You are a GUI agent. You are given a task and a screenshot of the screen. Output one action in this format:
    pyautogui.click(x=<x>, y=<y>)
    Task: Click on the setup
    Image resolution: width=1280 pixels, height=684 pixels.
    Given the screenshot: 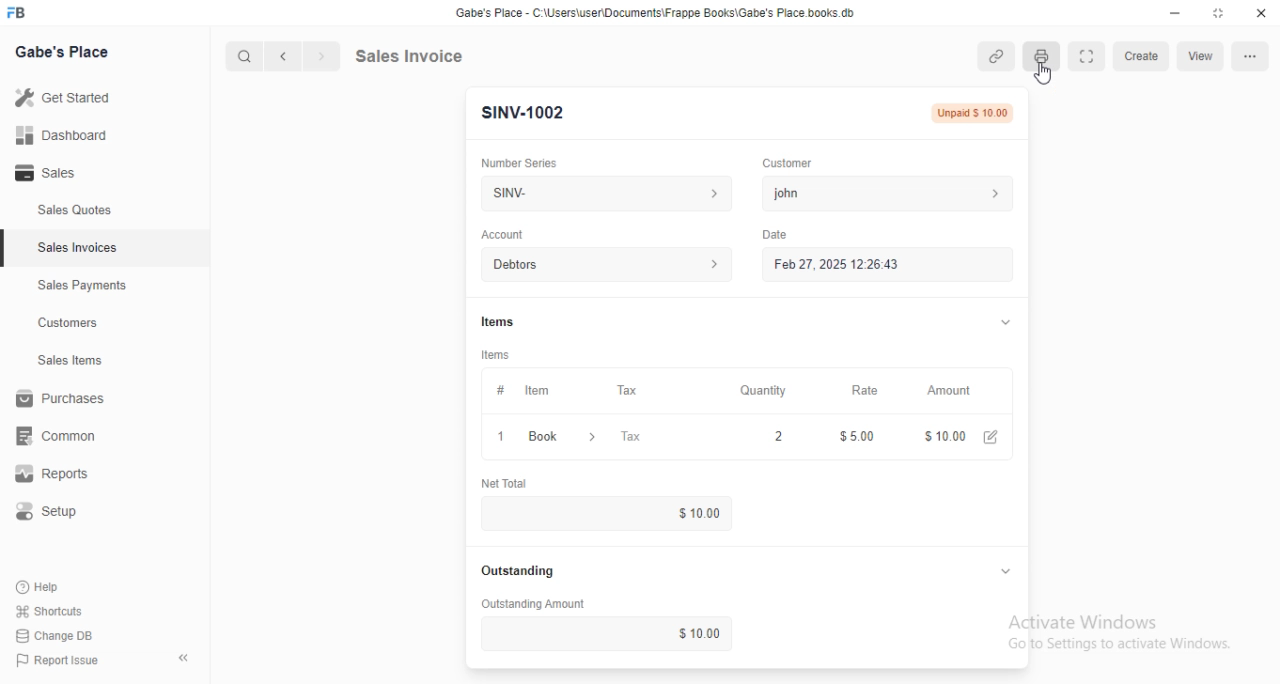 What is the action you would take?
    pyautogui.click(x=47, y=511)
    